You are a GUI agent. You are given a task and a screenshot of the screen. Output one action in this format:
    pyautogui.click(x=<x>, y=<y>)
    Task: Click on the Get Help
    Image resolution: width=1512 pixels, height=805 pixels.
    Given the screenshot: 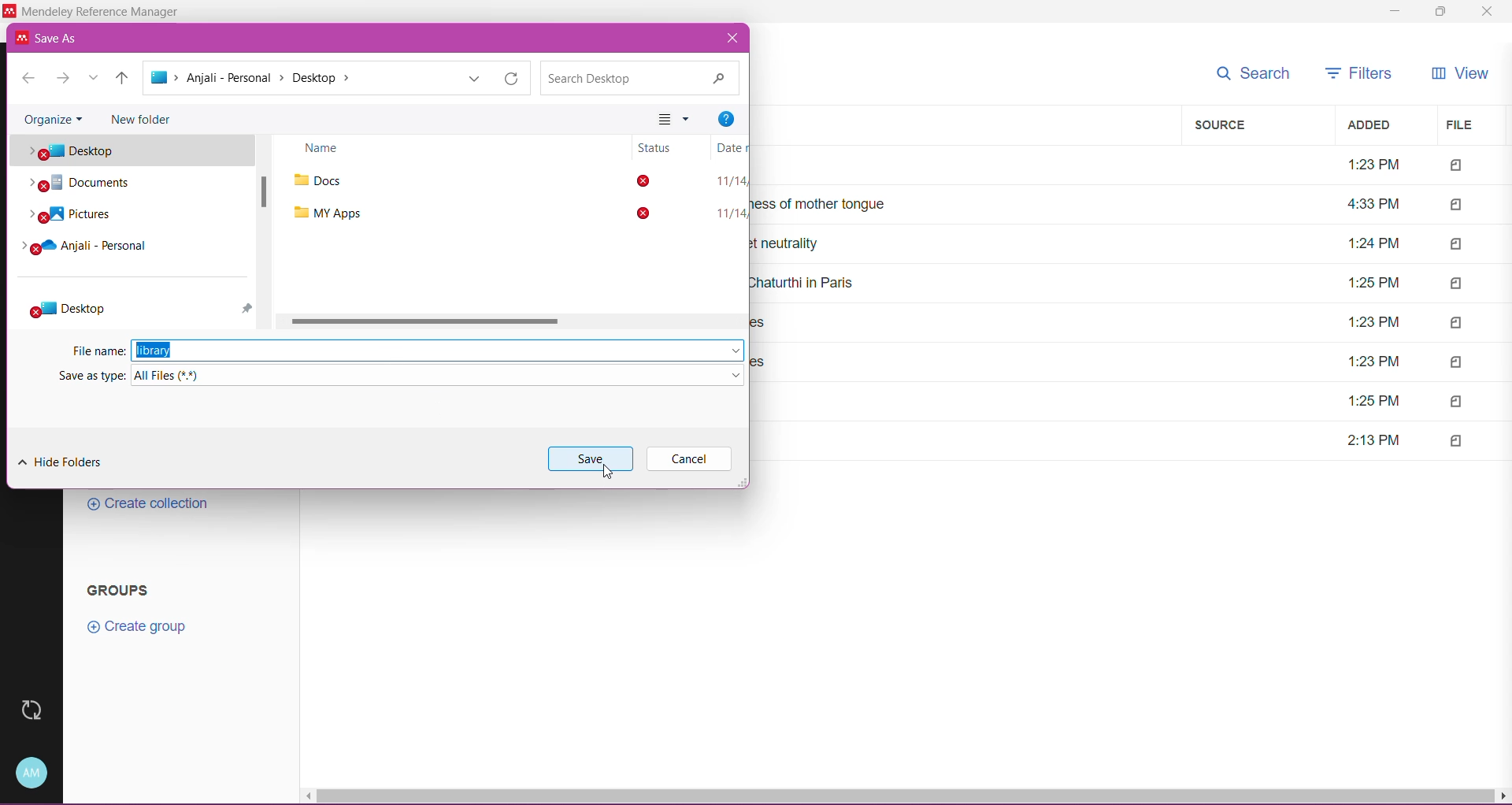 What is the action you would take?
    pyautogui.click(x=725, y=120)
    